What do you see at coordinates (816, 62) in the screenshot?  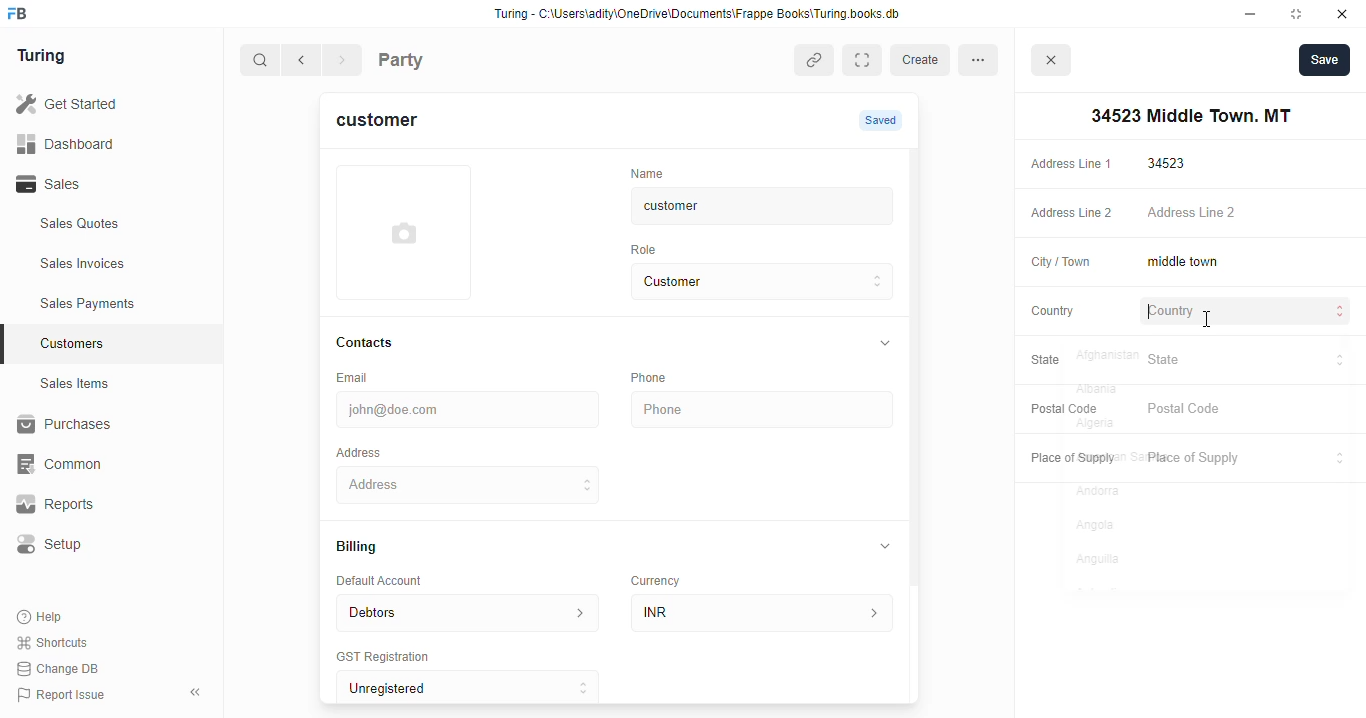 I see `copy link` at bounding box center [816, 62].